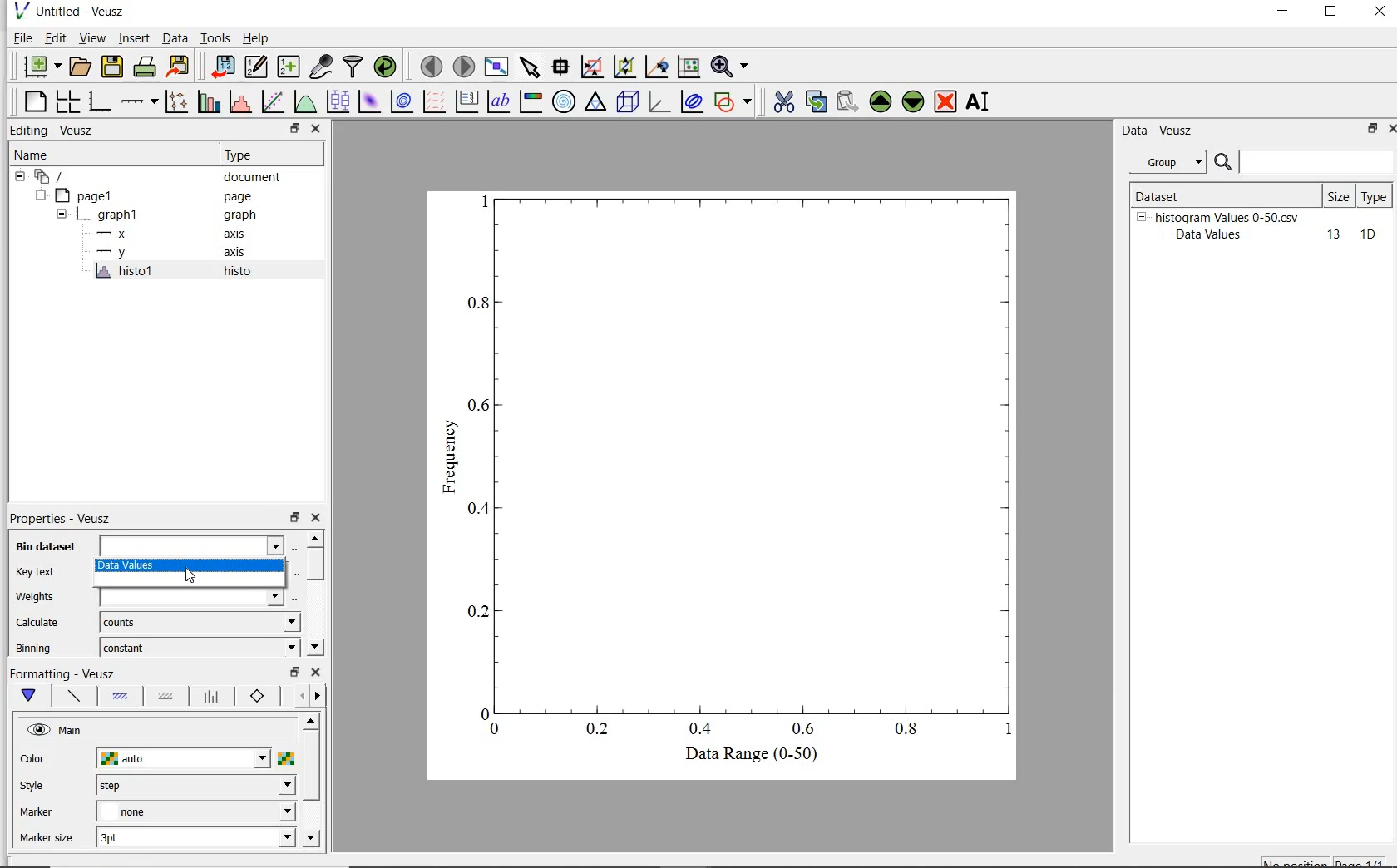 The width and height of the screenshot is (1397, 868). I want to click on histo 1, so click(126, 272).